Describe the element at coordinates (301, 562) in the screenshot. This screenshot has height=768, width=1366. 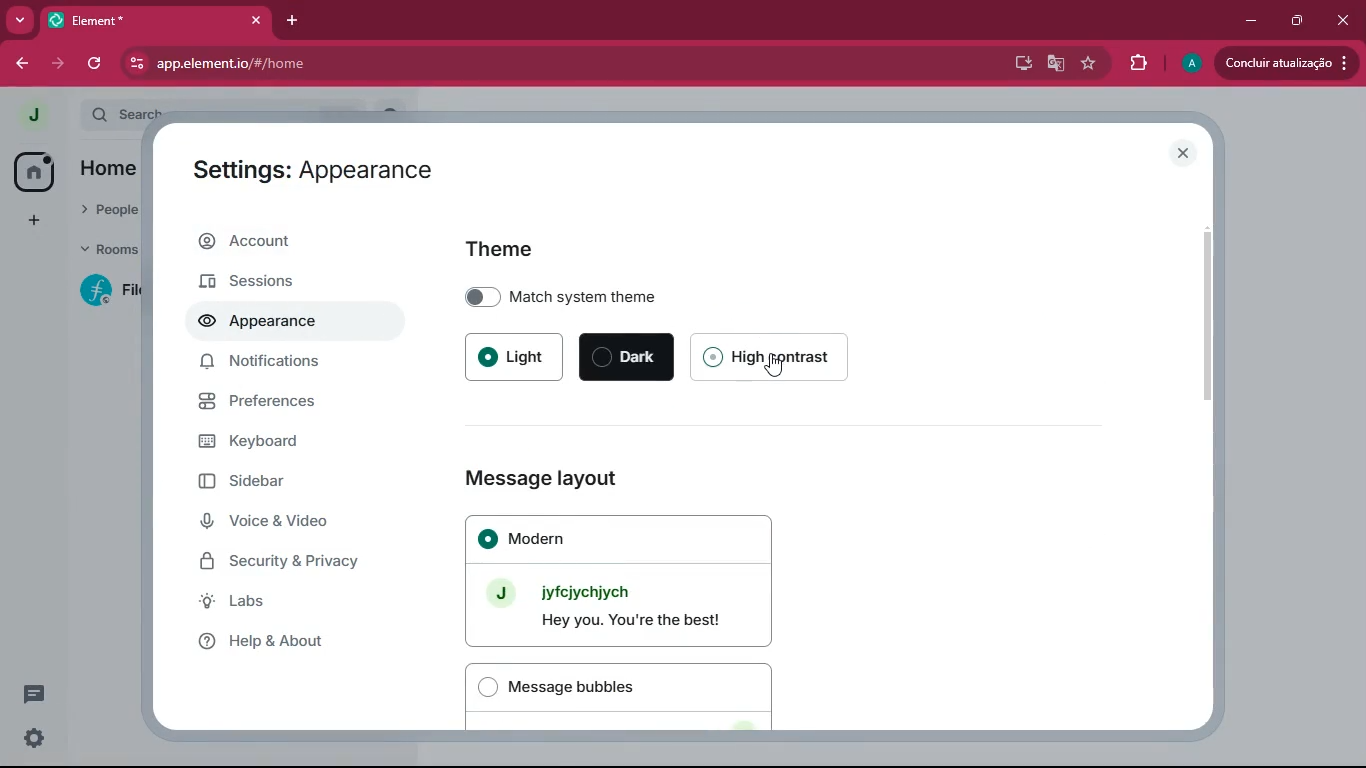
I see `security` at that location.